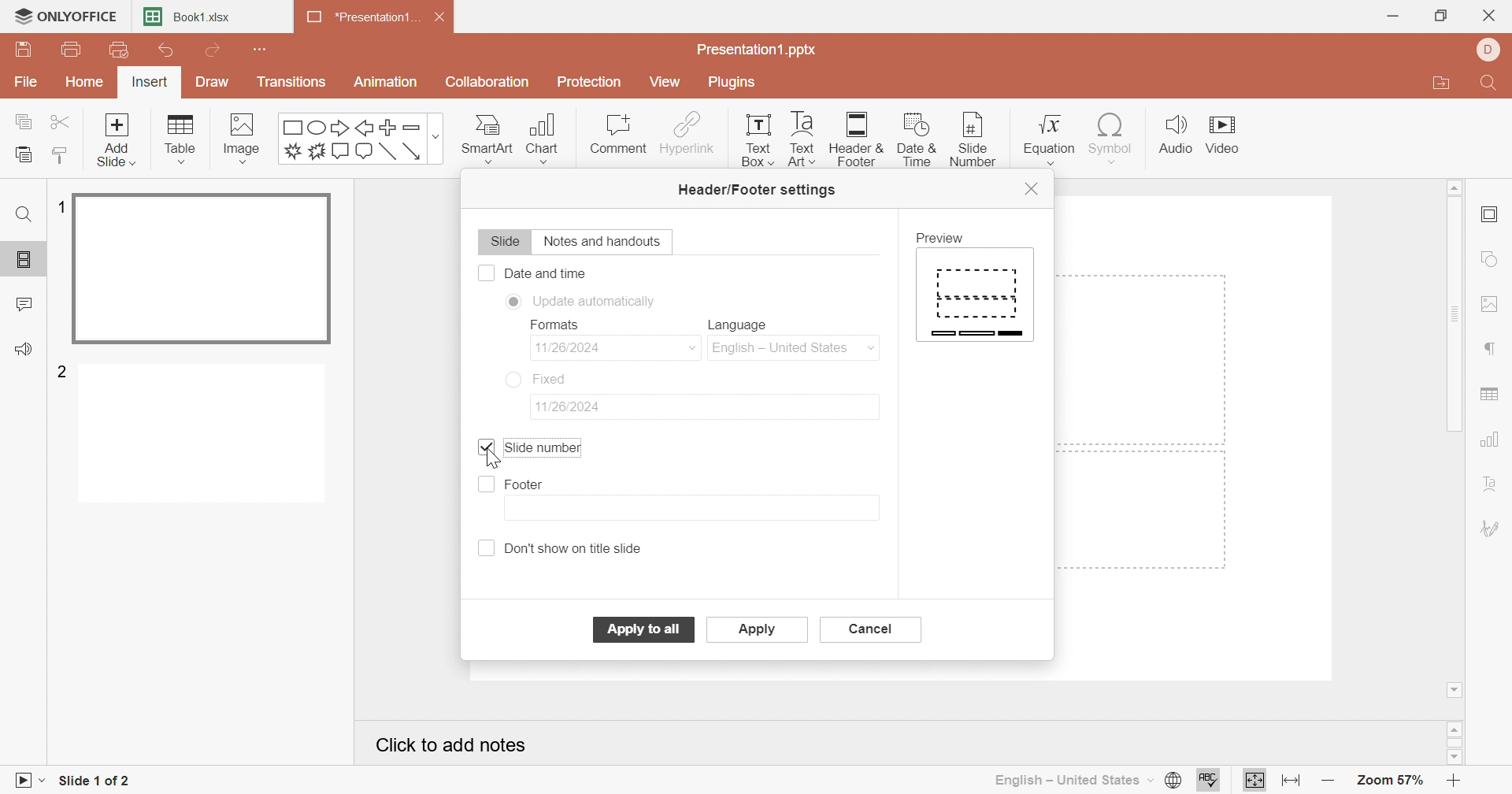 The image size is (1512, 794). What do you see at coordinates (1492, 440) in the screenshot?
I see `Chart settings` at bounding box center [1492, 440].